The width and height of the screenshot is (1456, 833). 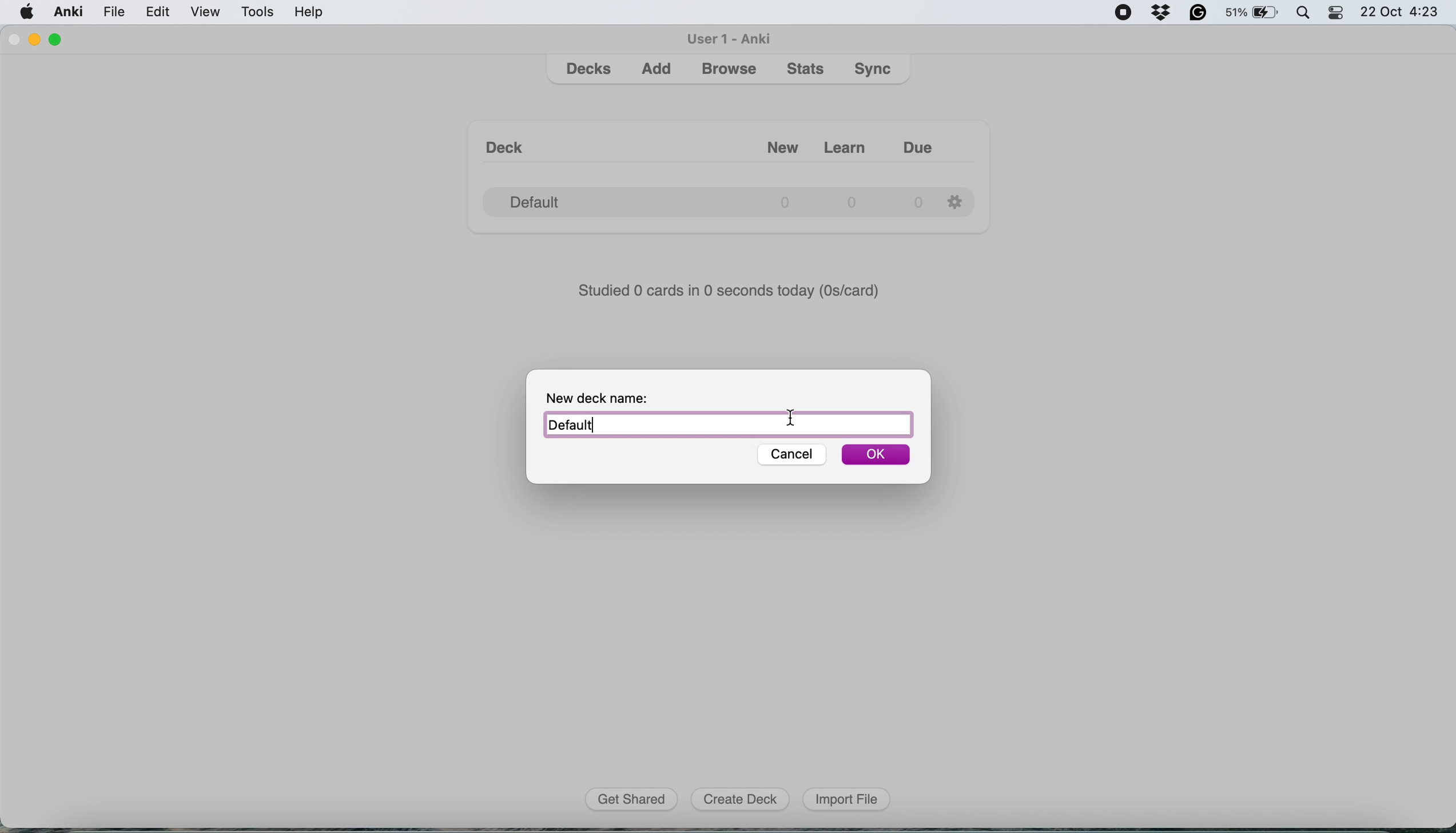 I want to click on help, so click(x=309, y=14).